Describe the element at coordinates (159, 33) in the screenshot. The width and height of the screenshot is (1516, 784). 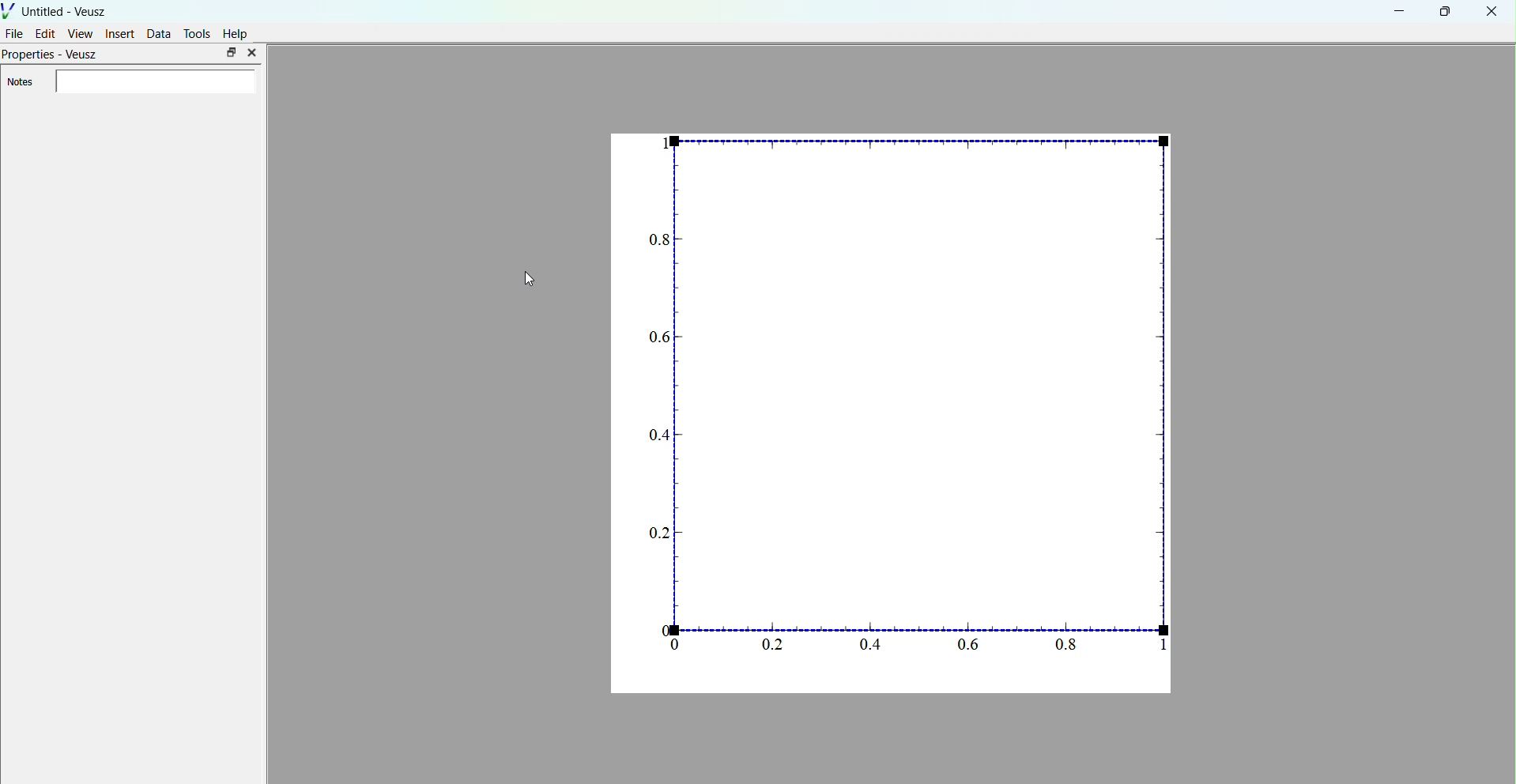
I see `Data` at that location.